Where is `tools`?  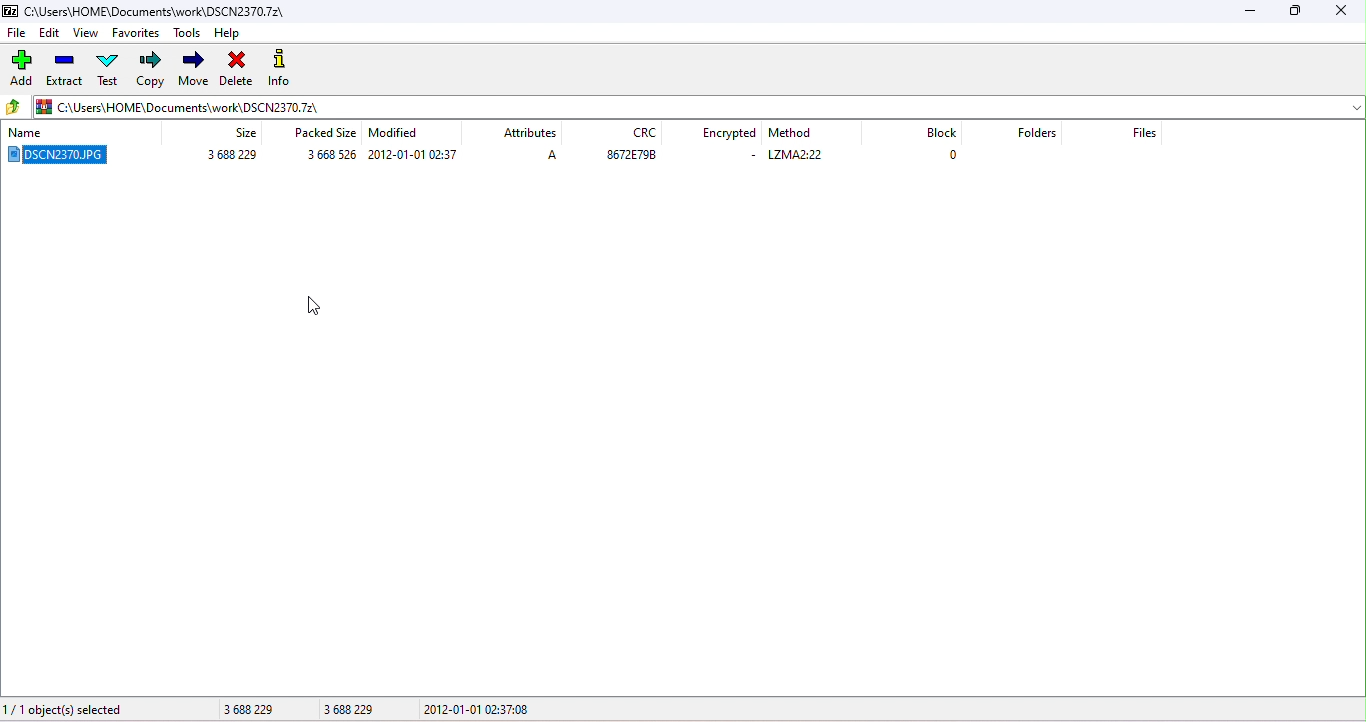
tools is located at coordinates (188, 34).